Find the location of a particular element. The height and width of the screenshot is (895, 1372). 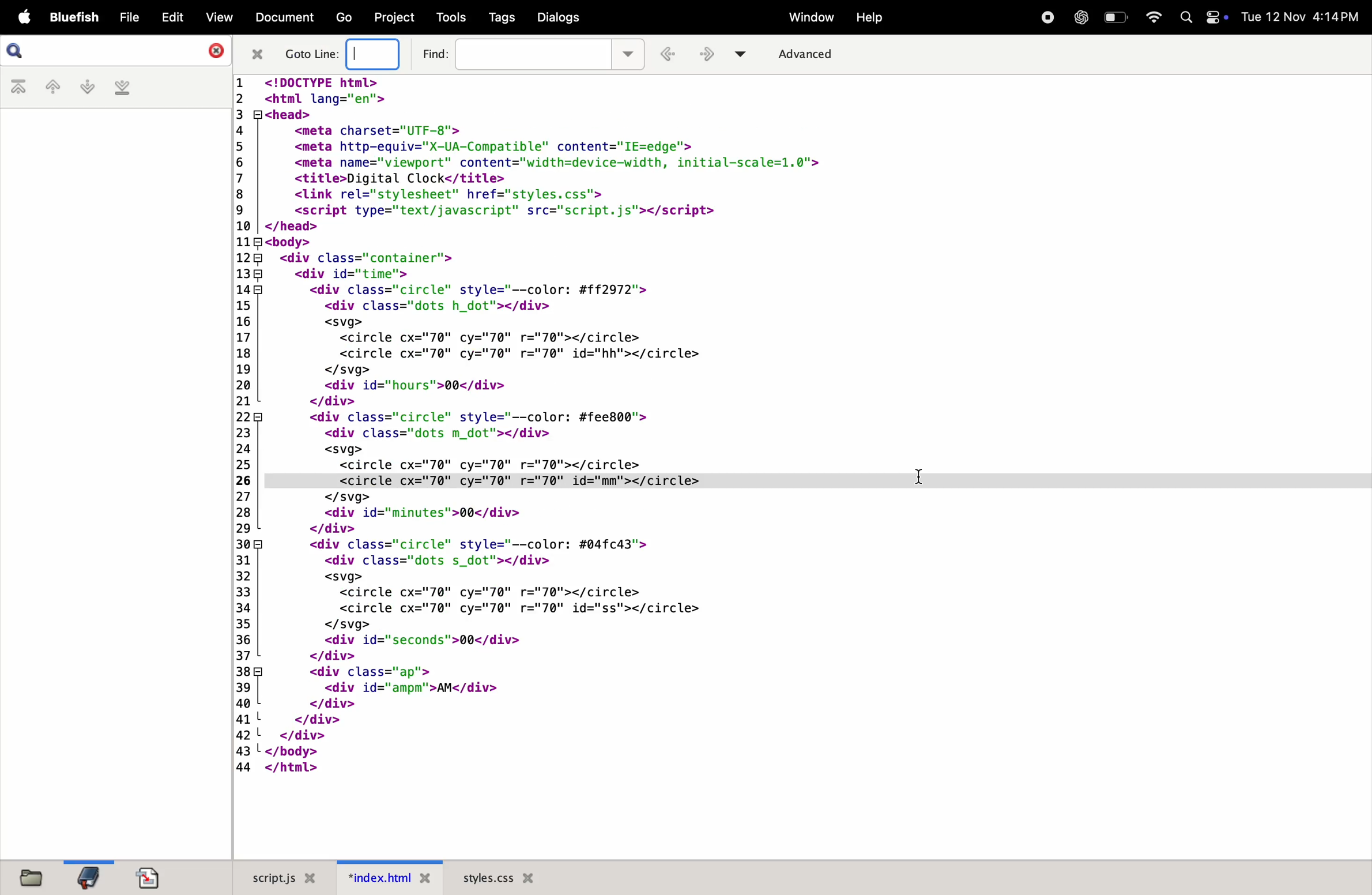

projects is located at coordinates (392, 17).